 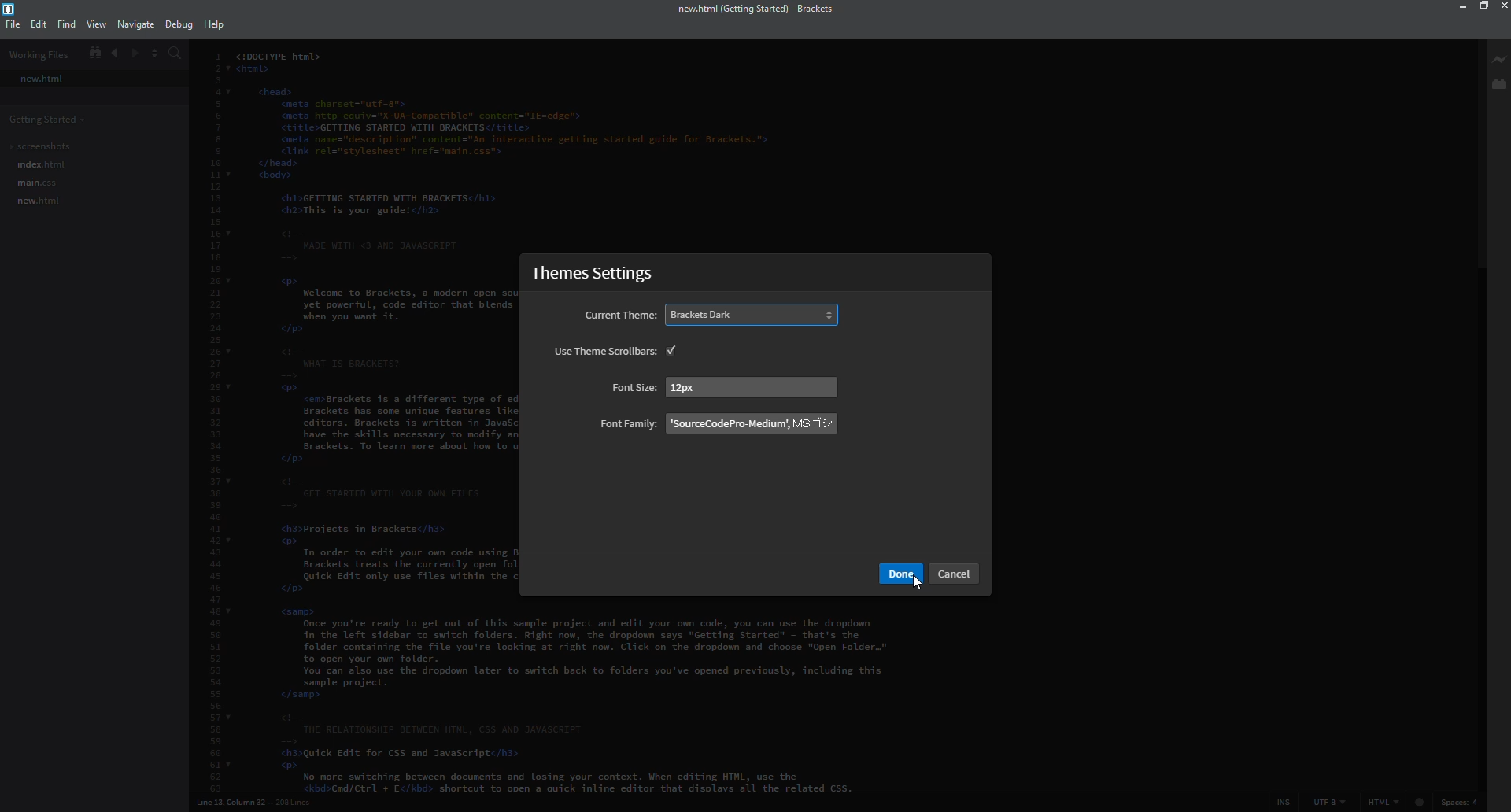 What do you see at coordinates (627, 423) in the screenshot?
I see `font family` at bounding box center [627, 423].